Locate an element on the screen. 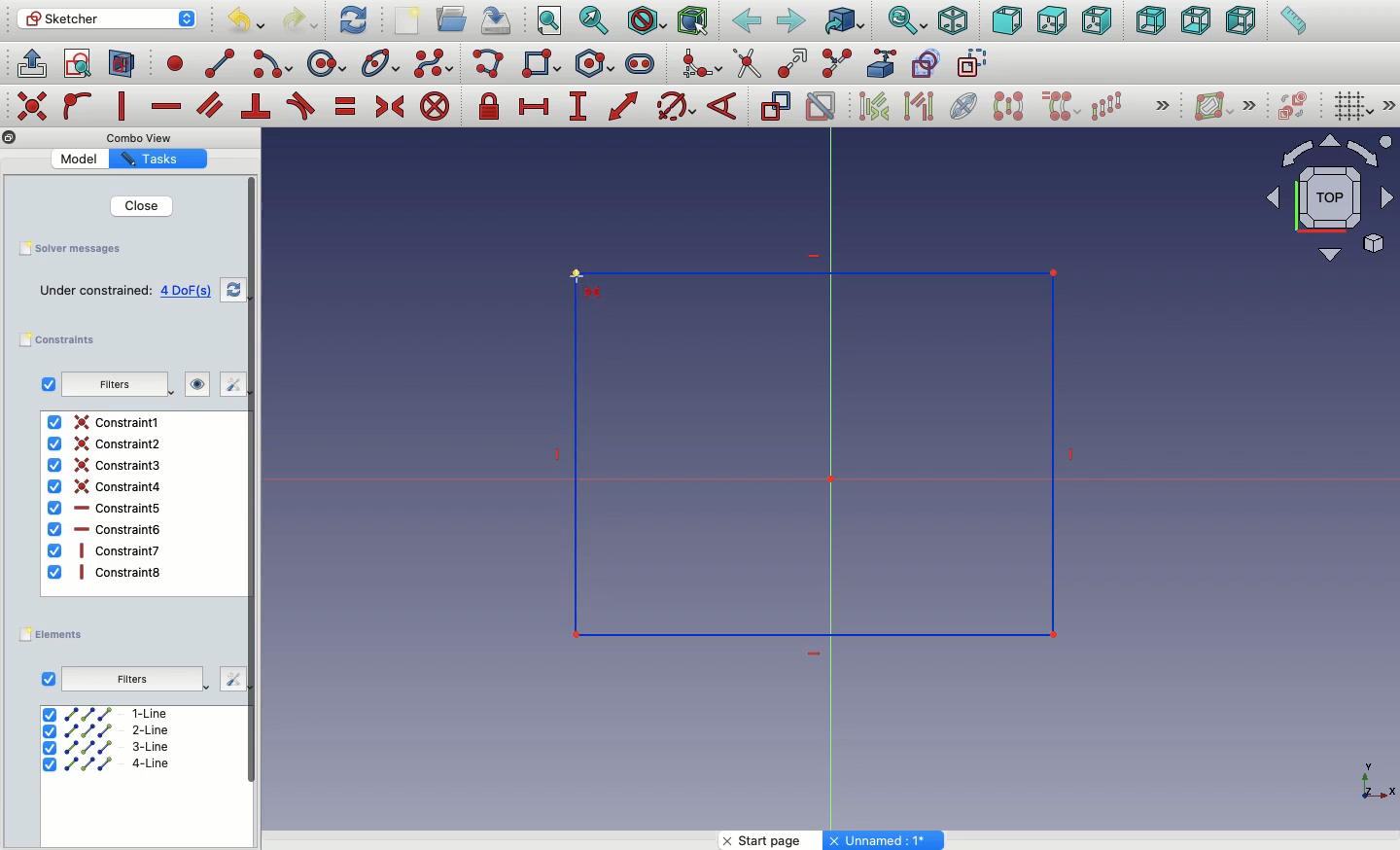 This screenshot has height=850, width=1400. Select associated constrains is located at coordinates (870, 106).